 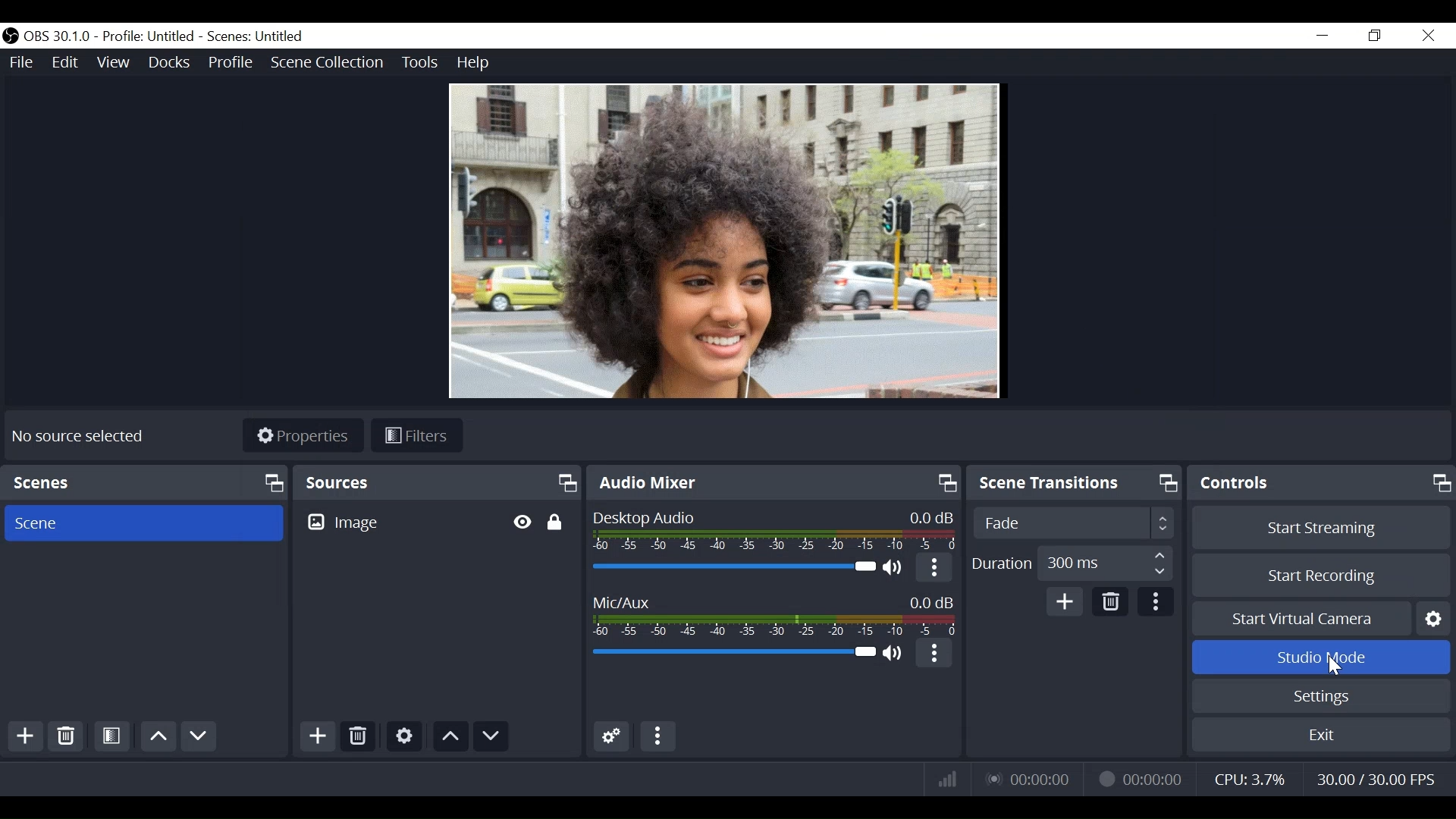 I want to click on Help, so click(x=476, y=63).